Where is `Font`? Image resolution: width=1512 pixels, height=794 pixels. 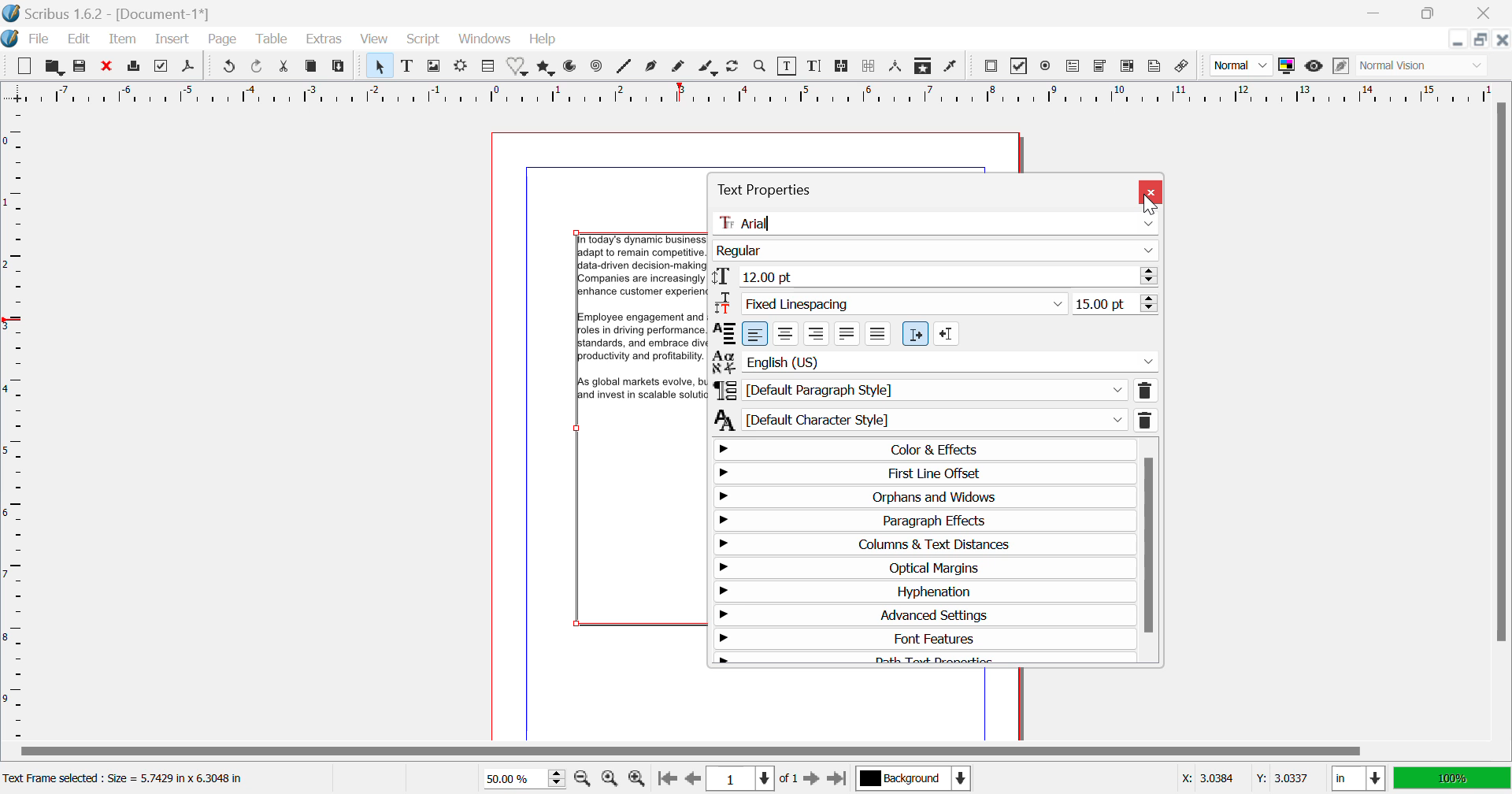
Font is located at coordinates (935, 224).